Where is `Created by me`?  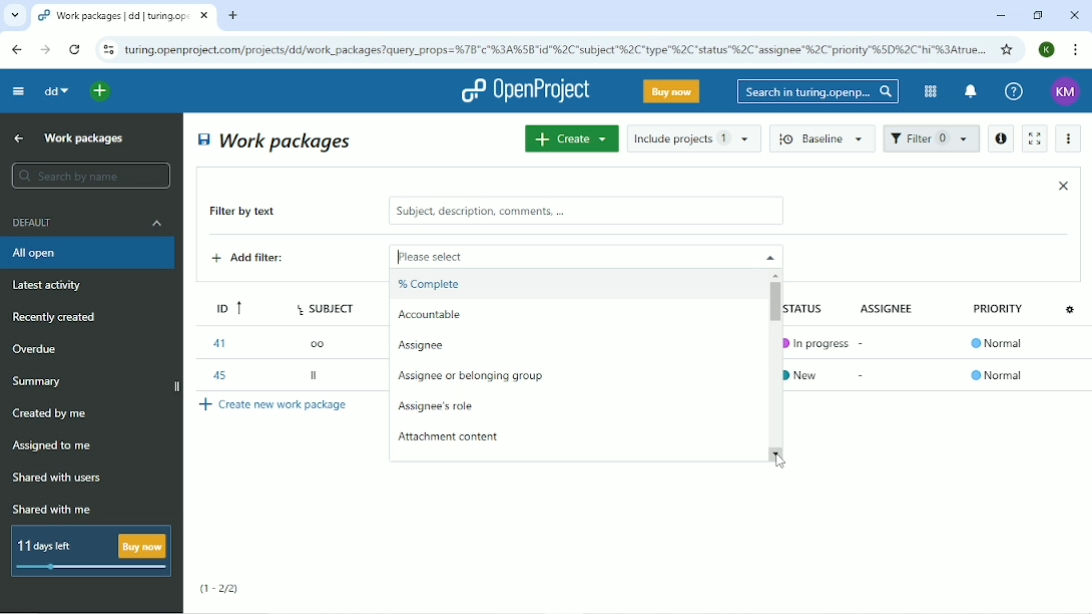
Created by me is located at coordinates (53, 414).